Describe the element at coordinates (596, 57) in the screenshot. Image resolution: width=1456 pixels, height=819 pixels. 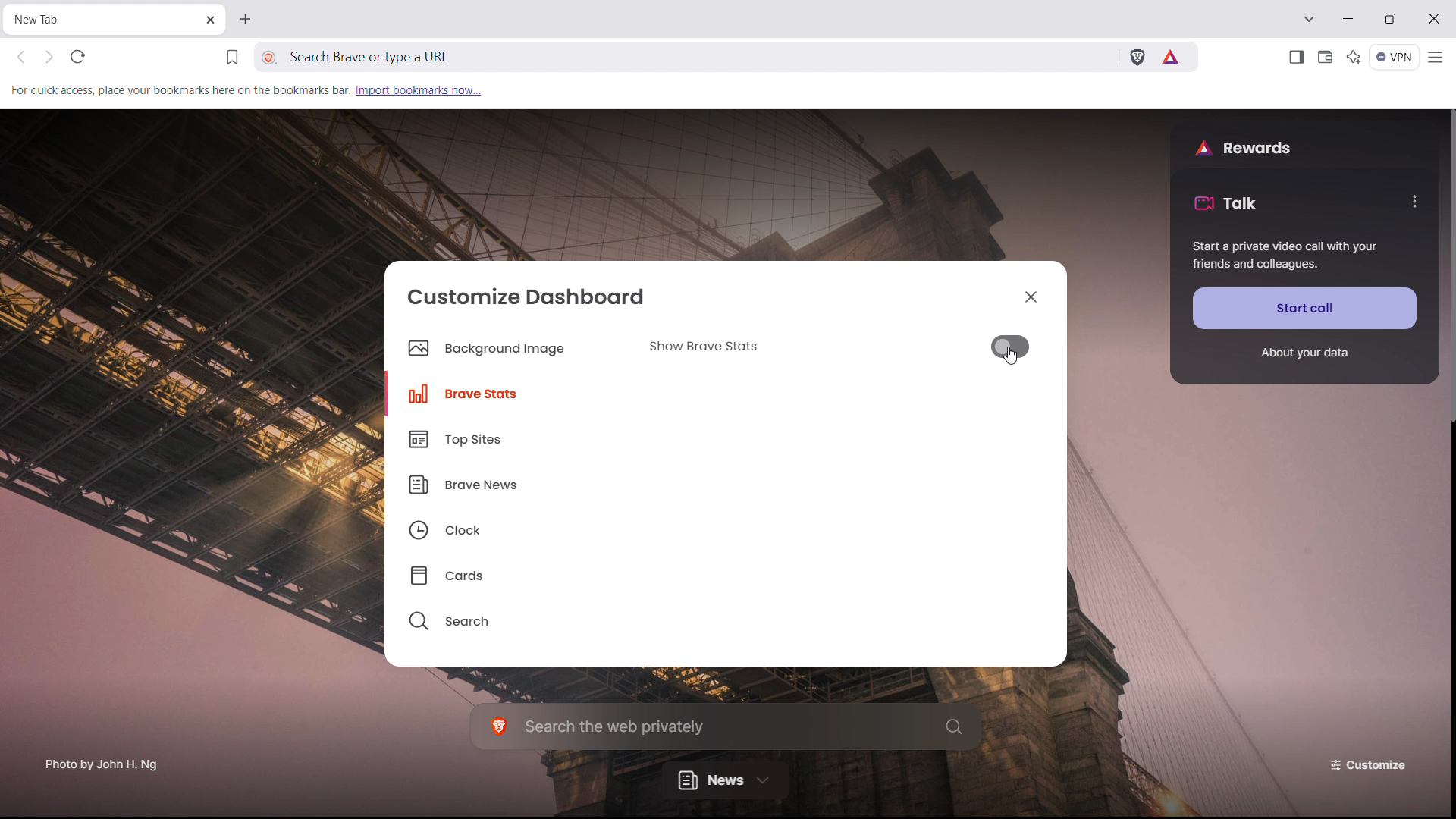
I see `search brave or type a URL` at that location.